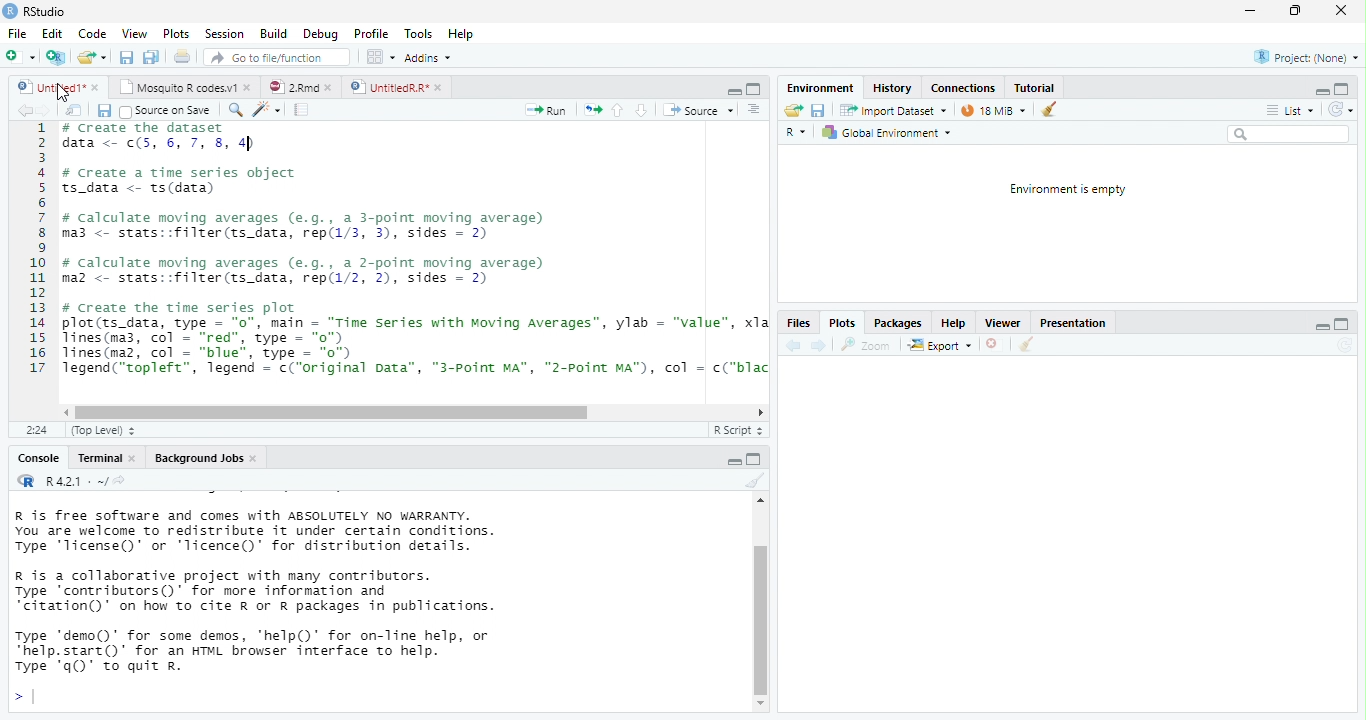  I want to click on Project: (None), so click(1307, 58).